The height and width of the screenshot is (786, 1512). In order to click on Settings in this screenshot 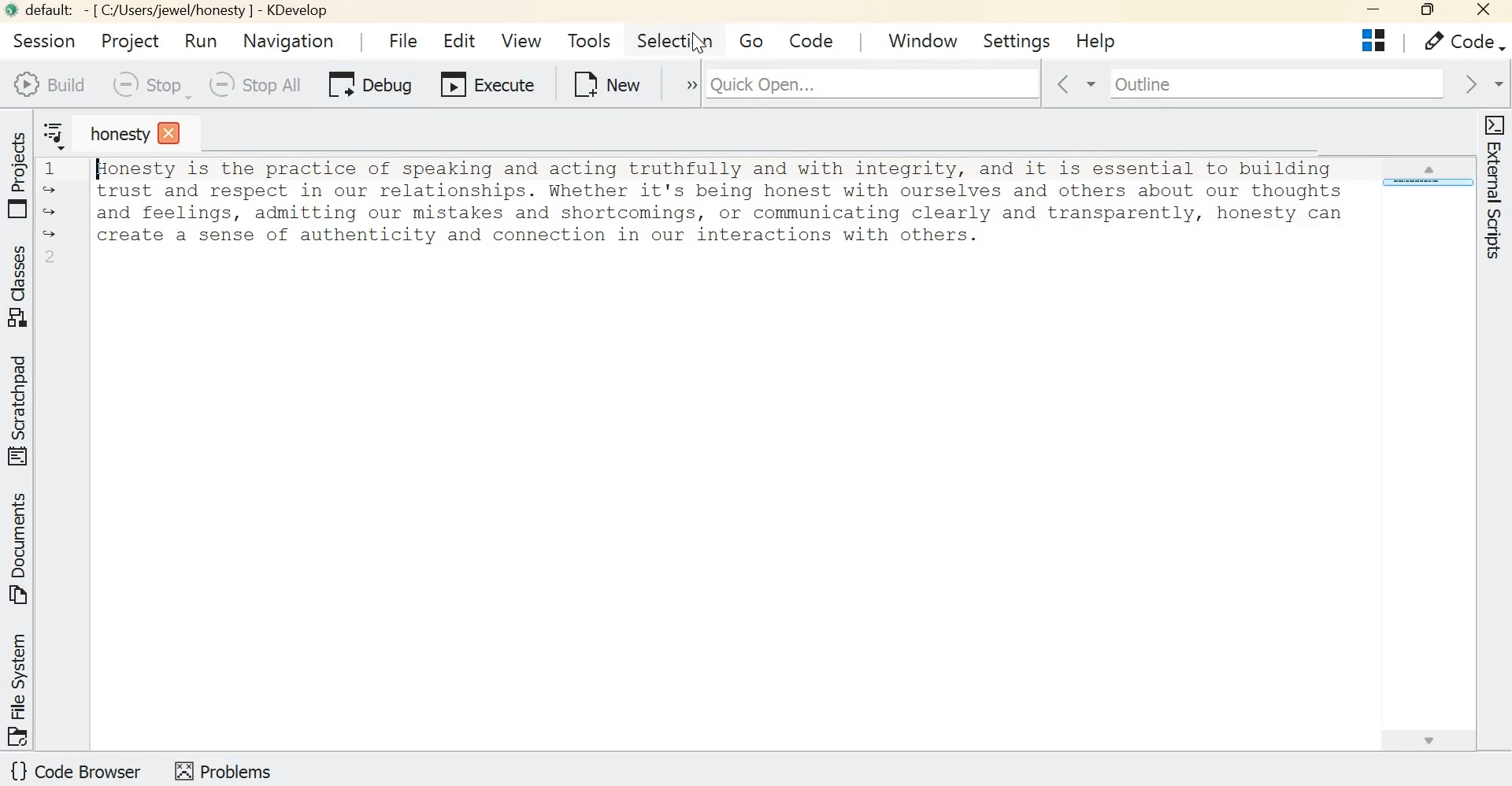, I will do `click(1018, 39)`.